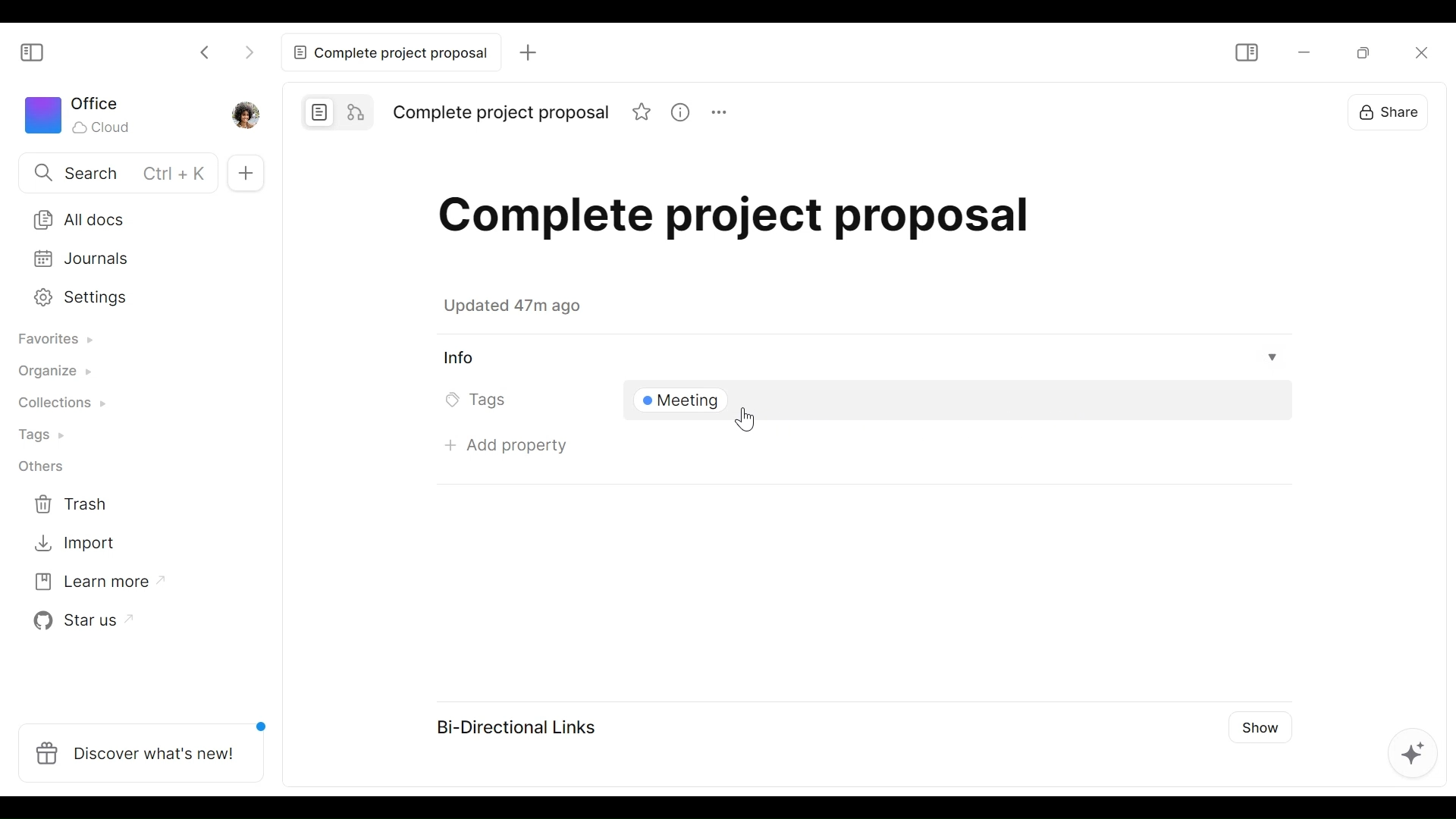 The image size is (1456, 819). I want to click on Add Tab, so click(246, 171).